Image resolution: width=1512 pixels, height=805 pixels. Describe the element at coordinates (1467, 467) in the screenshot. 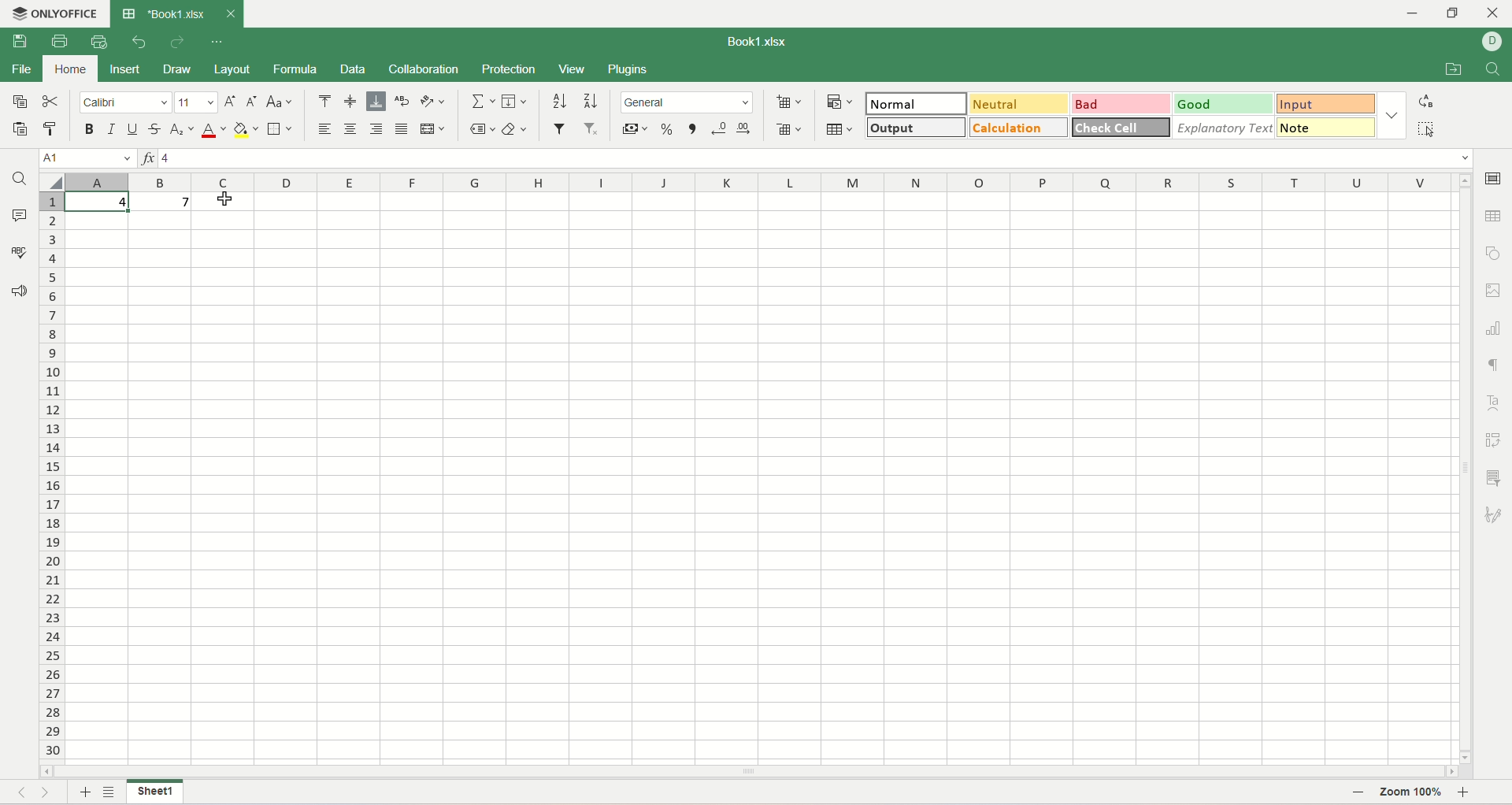

I see `vertical scroll settings` at that location.